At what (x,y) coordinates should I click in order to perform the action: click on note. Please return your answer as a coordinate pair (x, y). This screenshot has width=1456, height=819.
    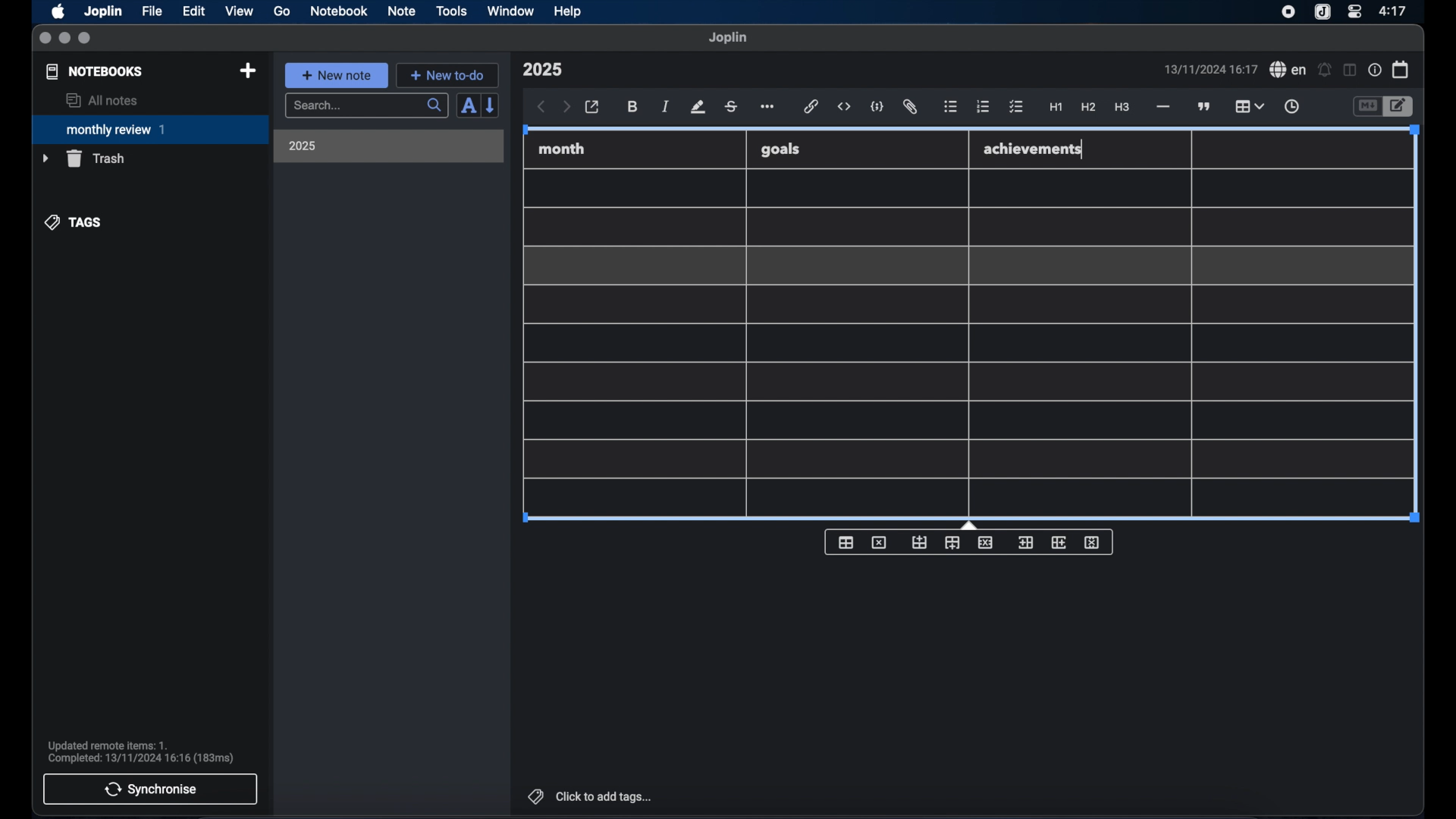
    Looking at the image, I should click on (402, 11).